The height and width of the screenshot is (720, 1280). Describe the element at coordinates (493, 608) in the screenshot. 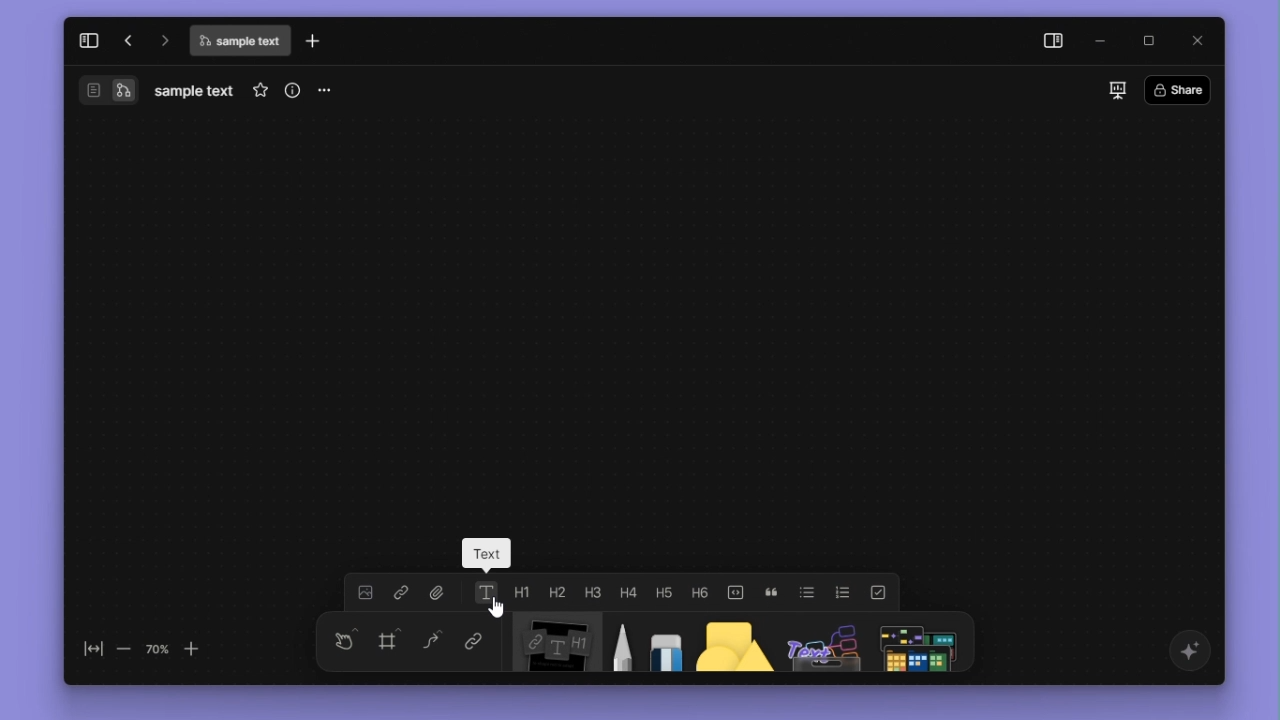

I see `cursor` at that location.